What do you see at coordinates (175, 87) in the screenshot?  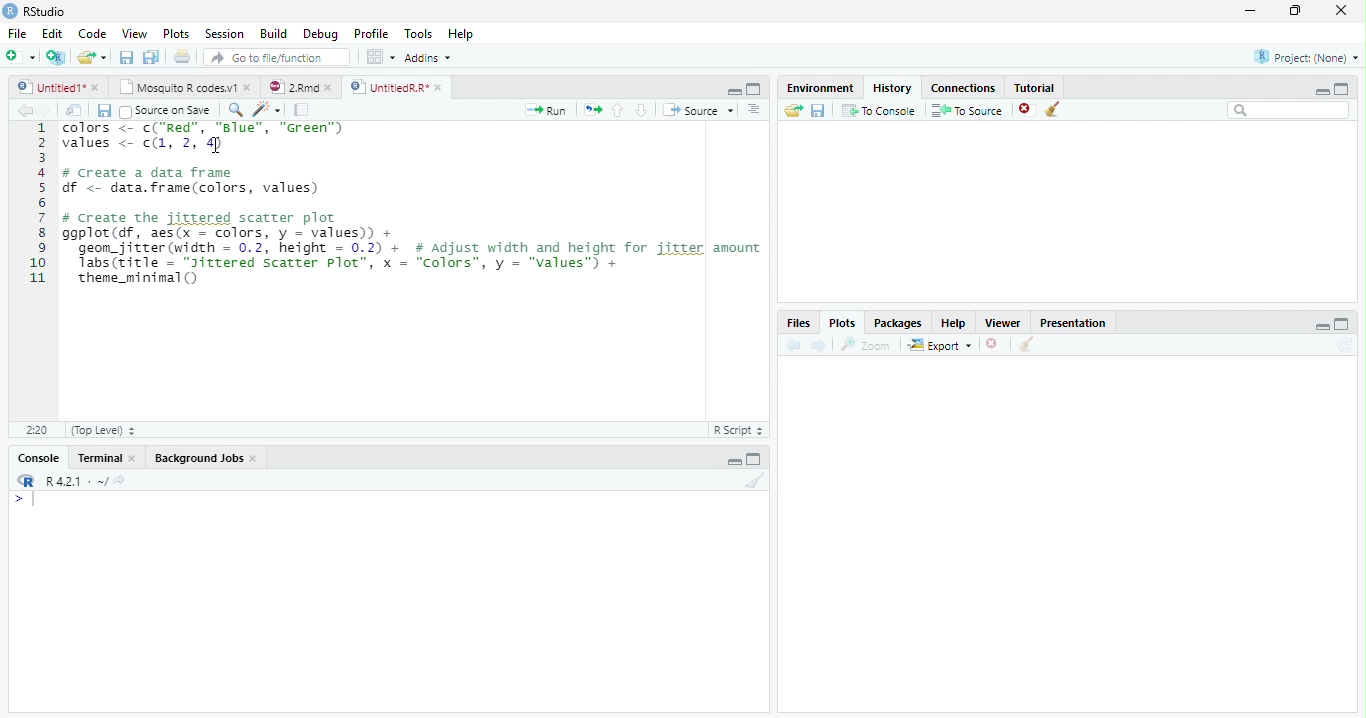 I see `Mosquito R codes.v1` at bounding box center [175, 87].